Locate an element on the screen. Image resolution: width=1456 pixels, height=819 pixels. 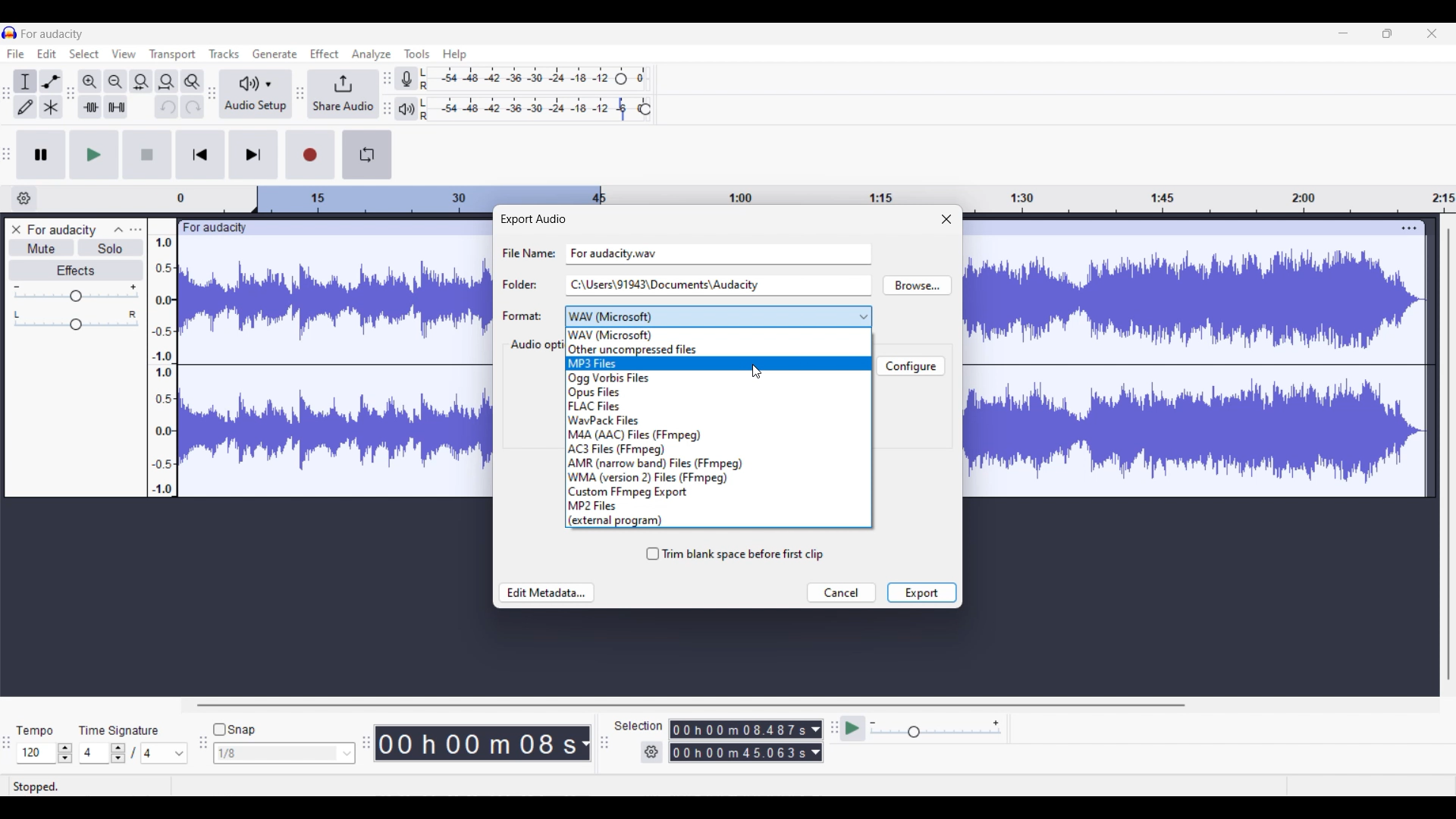
Header to change recording level is located at coordinates (621, 79).